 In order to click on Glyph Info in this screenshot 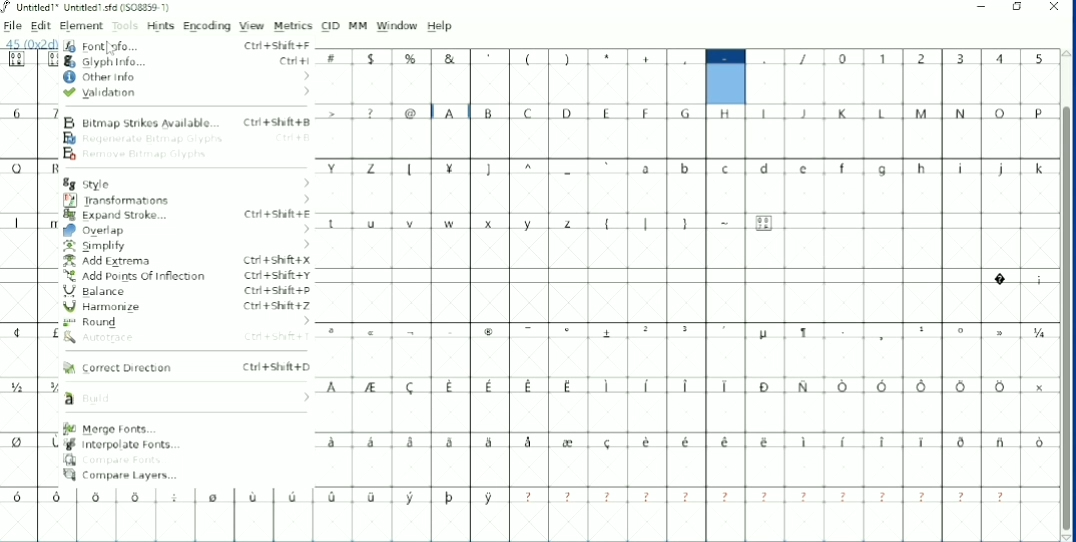, I will do `click(183, 62)`.